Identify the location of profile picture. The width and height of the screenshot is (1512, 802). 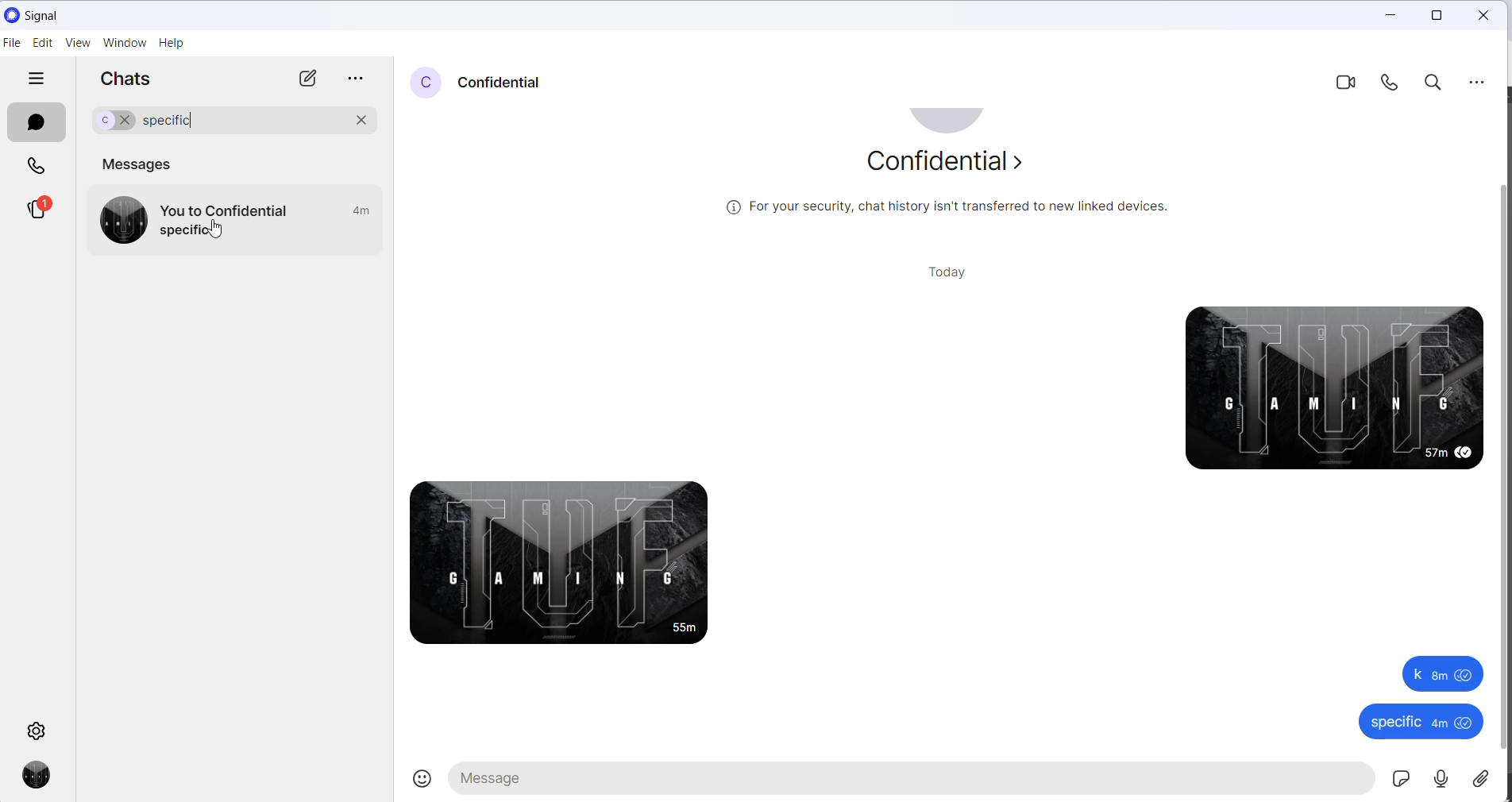
(121, 218).